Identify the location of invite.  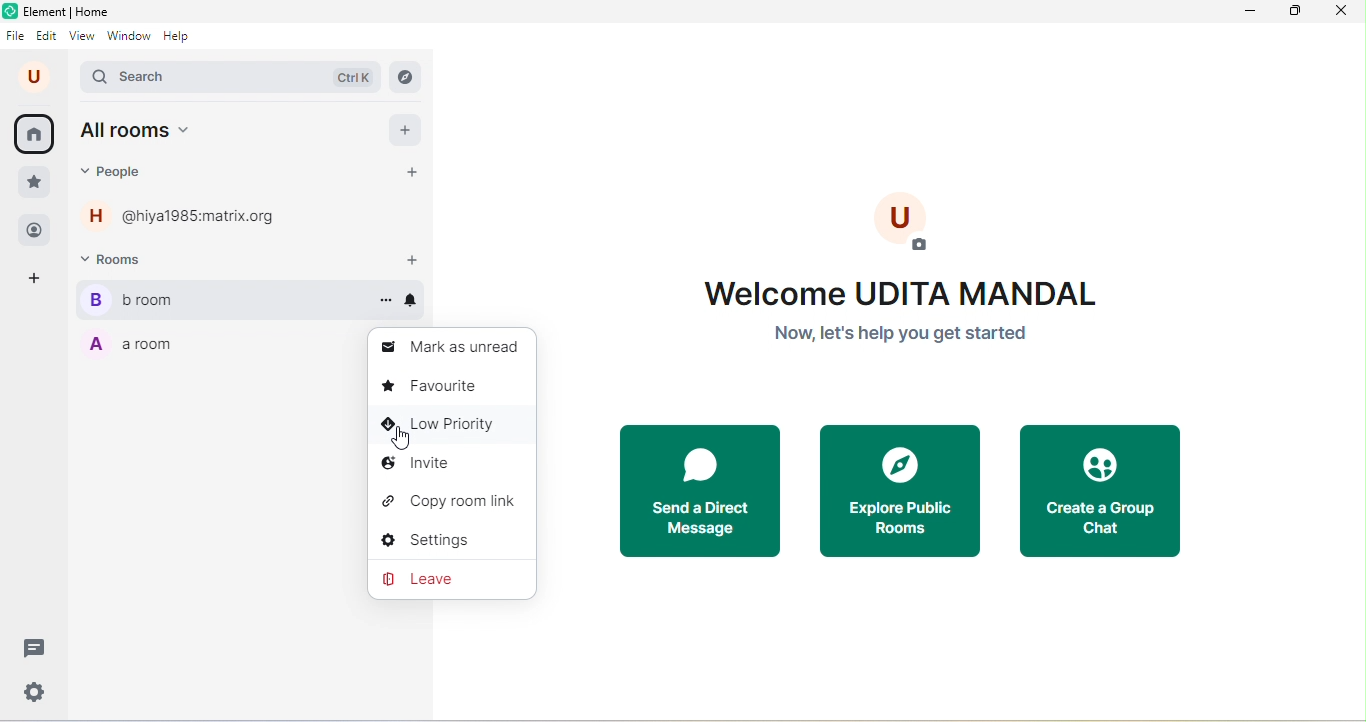
(427, 463).